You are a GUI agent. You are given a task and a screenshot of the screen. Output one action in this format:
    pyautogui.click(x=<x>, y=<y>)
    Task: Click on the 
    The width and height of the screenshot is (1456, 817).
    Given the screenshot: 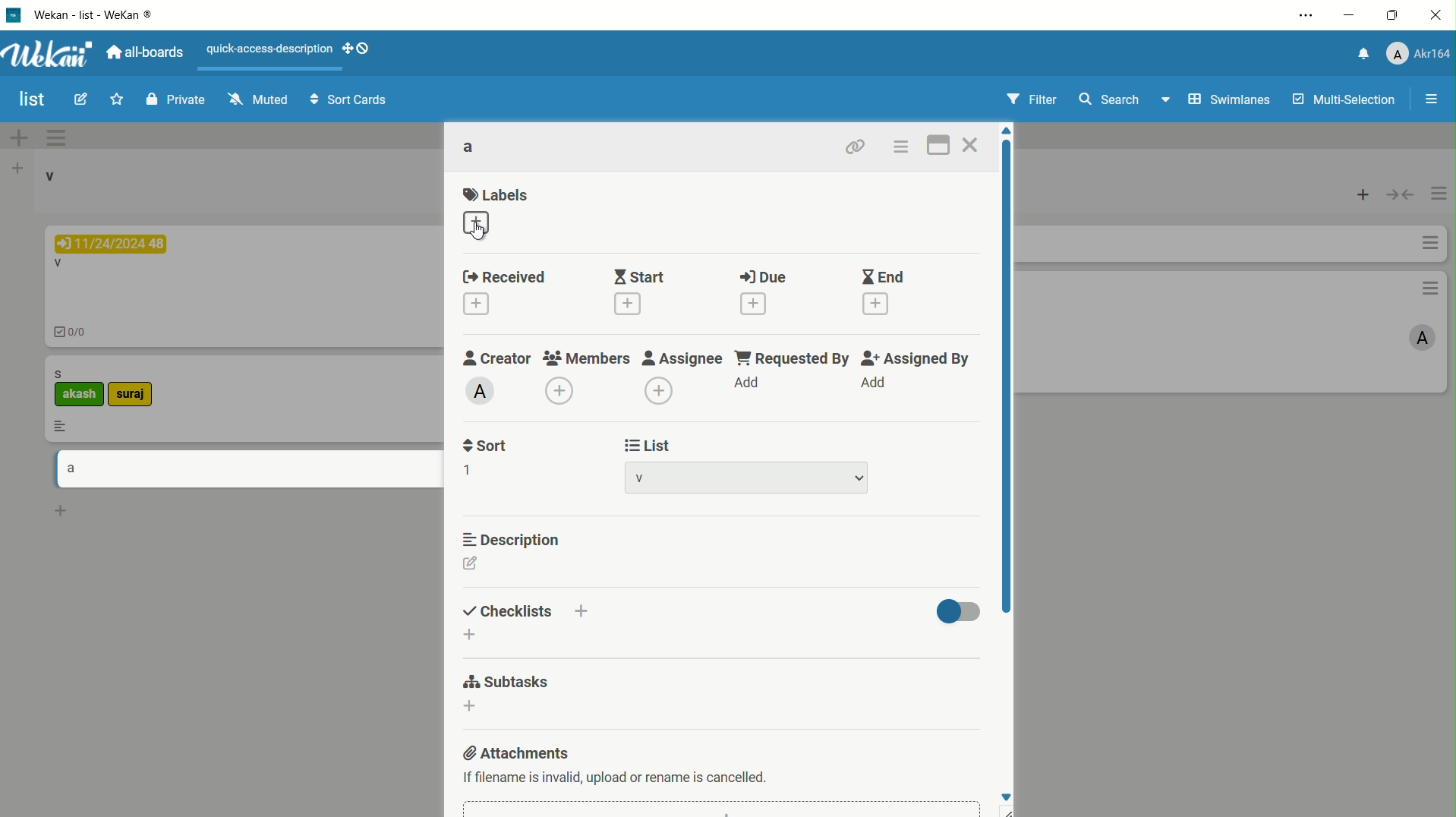 What is the action you would take?
    pyautogui.click(x=468, y=470)
    